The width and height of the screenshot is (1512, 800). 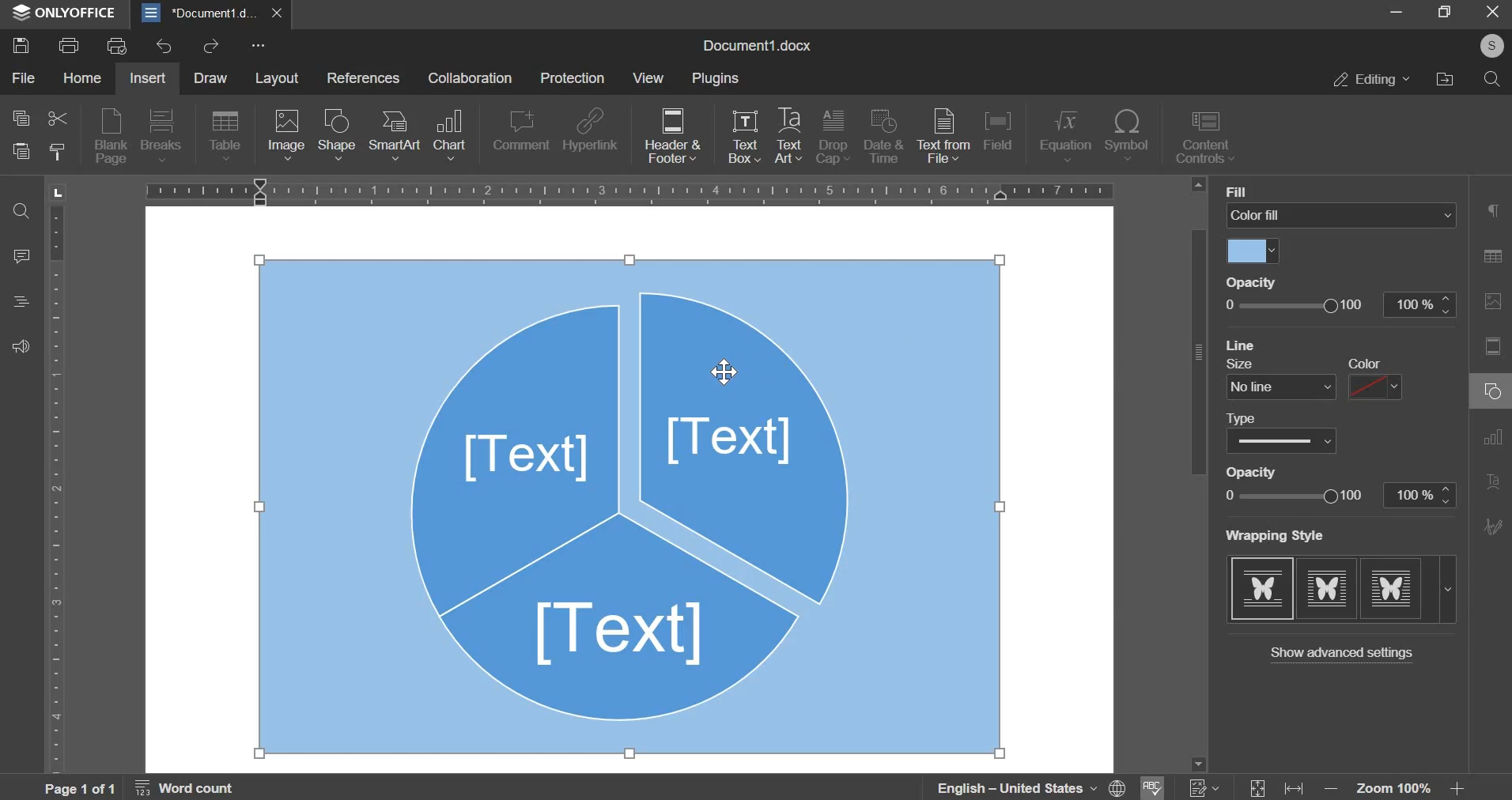 What do you see at coordinates (214, 12) in the screenshot?
I see `document1` at bounding box center [214, 12].